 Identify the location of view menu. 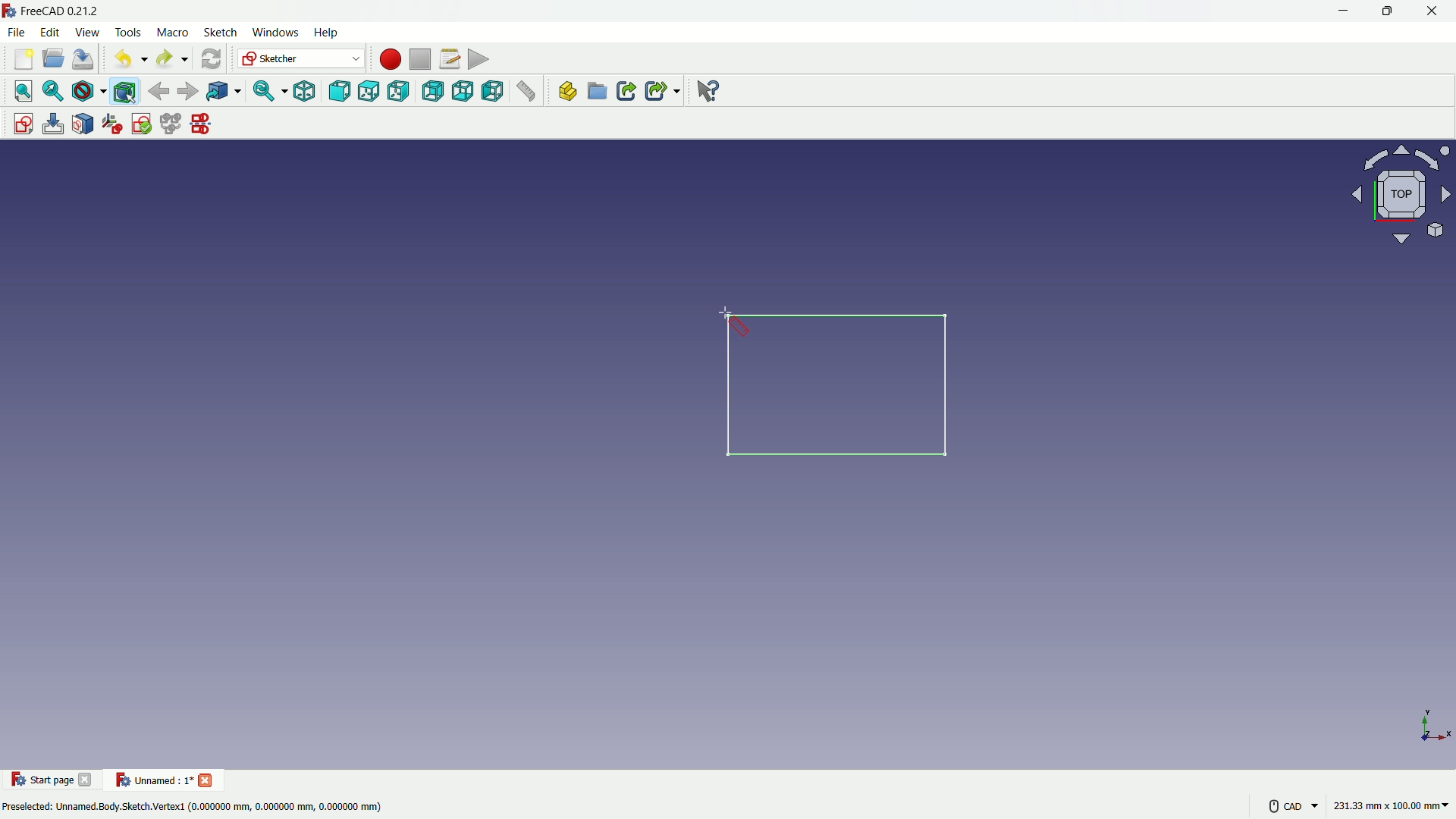
(86, 33).